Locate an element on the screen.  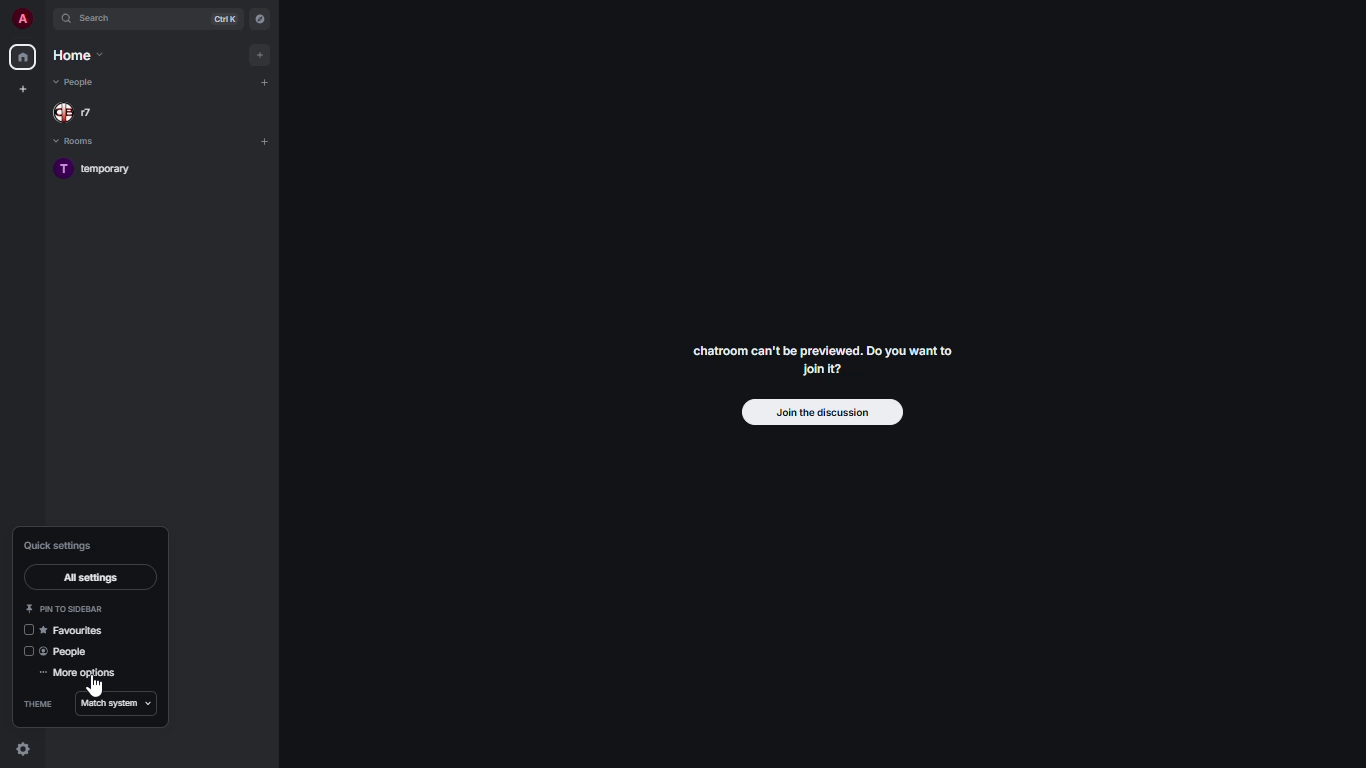
expand is located at coordinates (46, 20).